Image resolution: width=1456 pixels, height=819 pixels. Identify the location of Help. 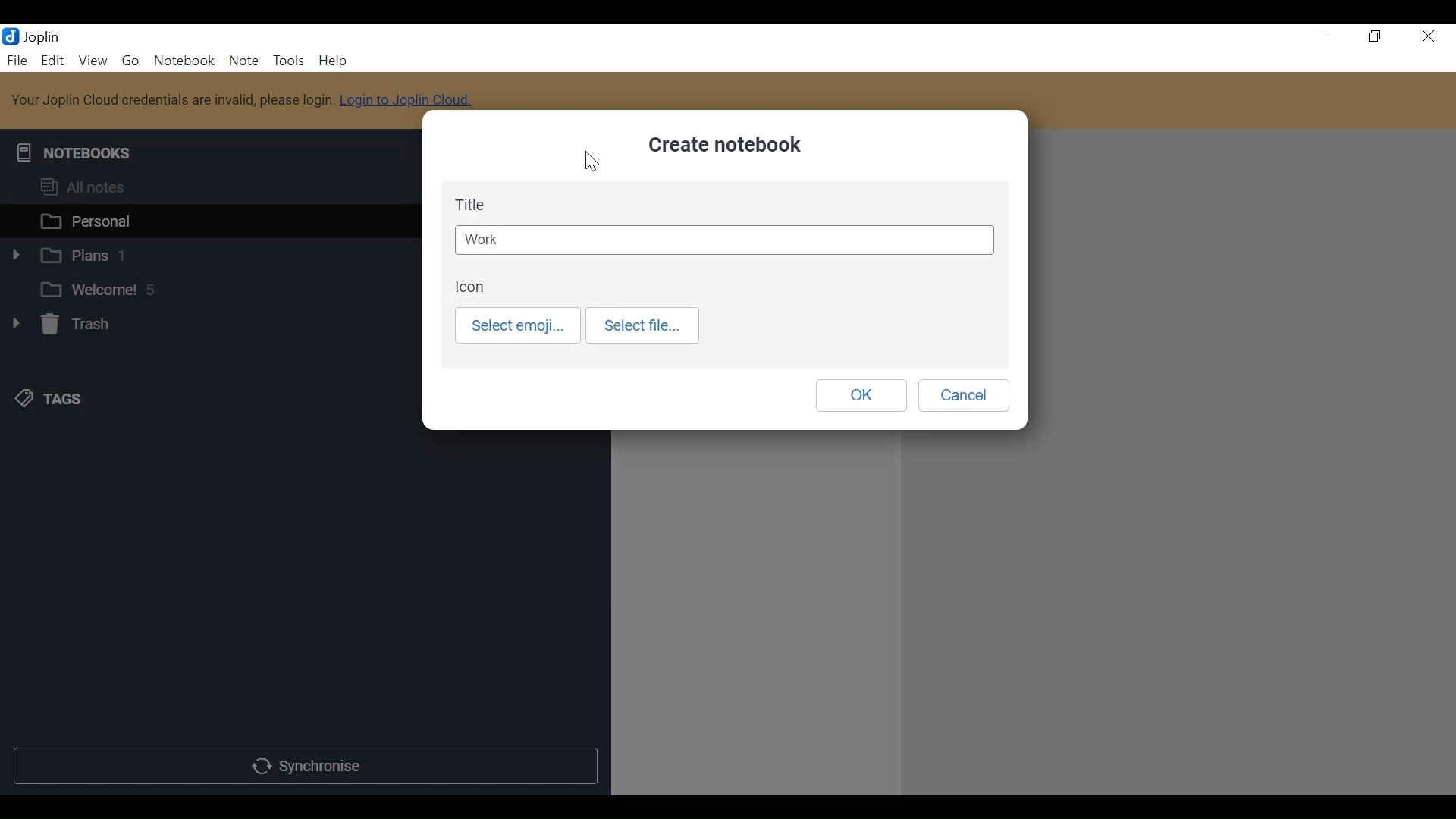
(331, 60).